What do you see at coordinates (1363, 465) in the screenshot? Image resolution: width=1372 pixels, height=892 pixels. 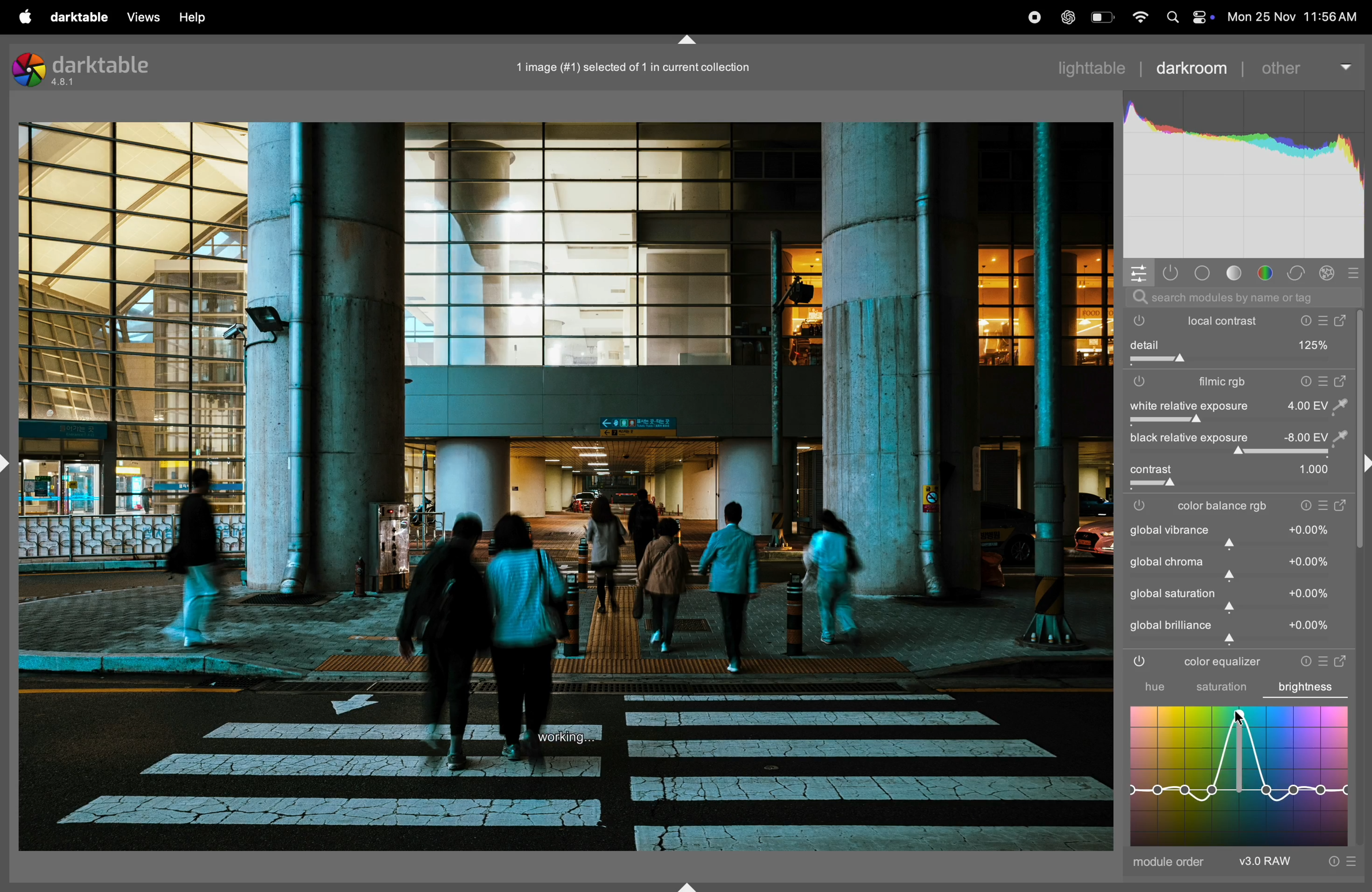 I see `Collapse or expand ` at bounding box center [1363, 465].